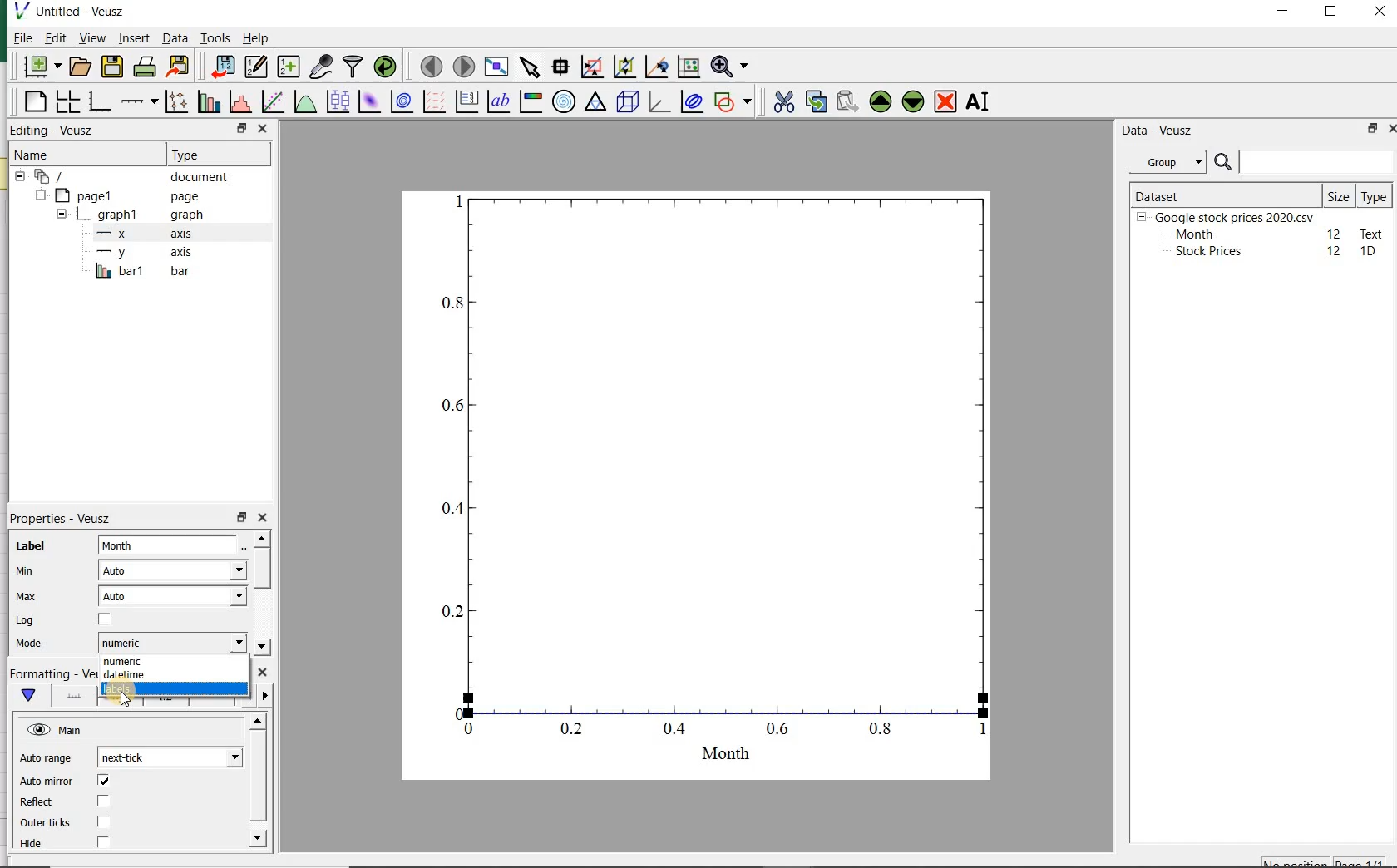 The image size is (1397, 868). What do you see at coordinates (121, 196) in the screenshot?
I see `page1` at bounding box center [121, 196].